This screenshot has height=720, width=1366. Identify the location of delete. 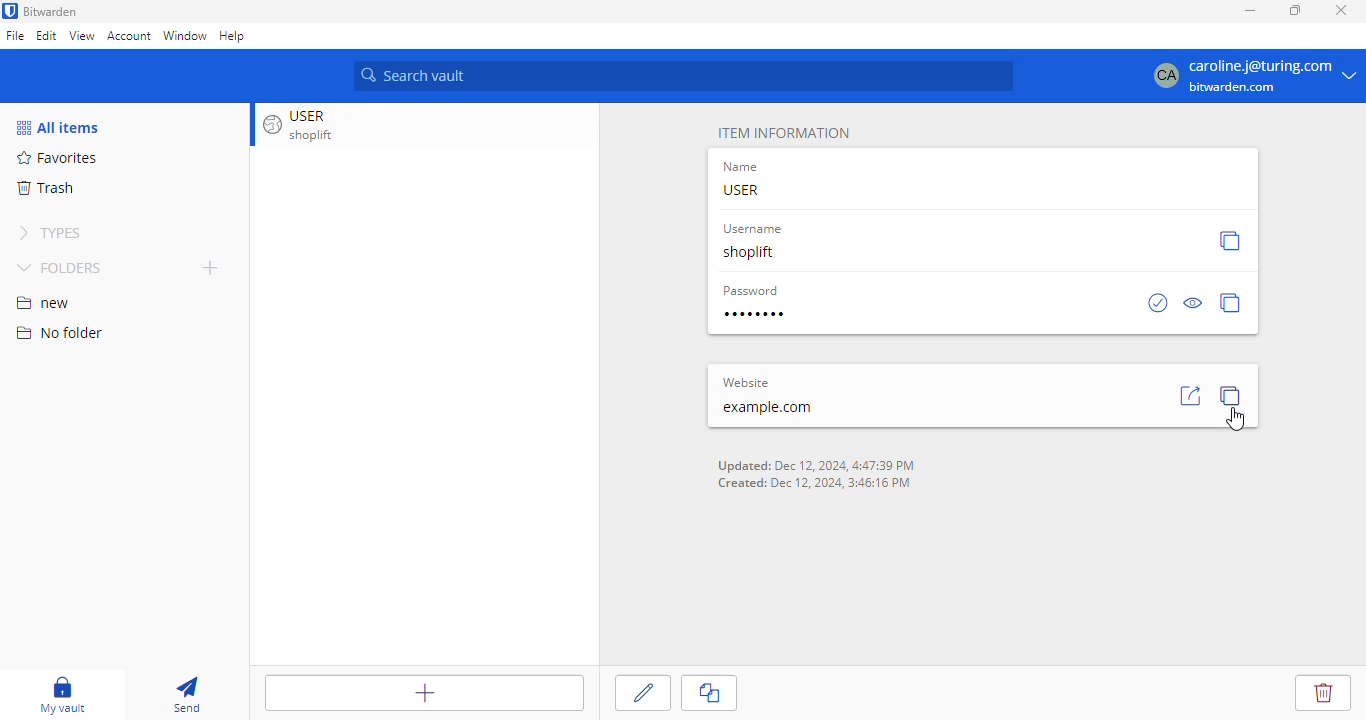
(1323, 691).